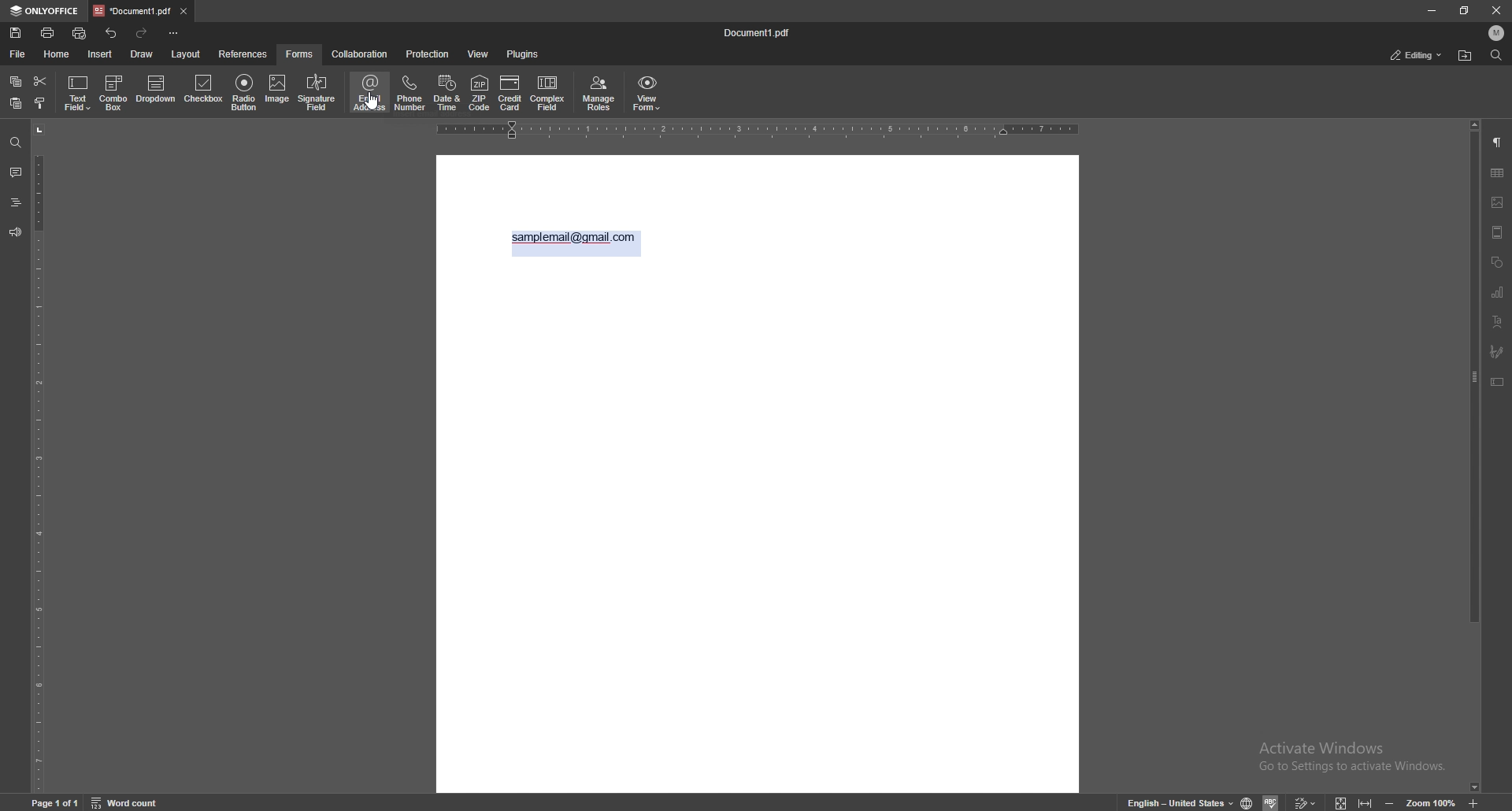 The width and height of the screenshot is (1512, 811). What do you see at coordinates (1498, 202) in the screenshot?
I see `image` at bounding box center [1498, 202].